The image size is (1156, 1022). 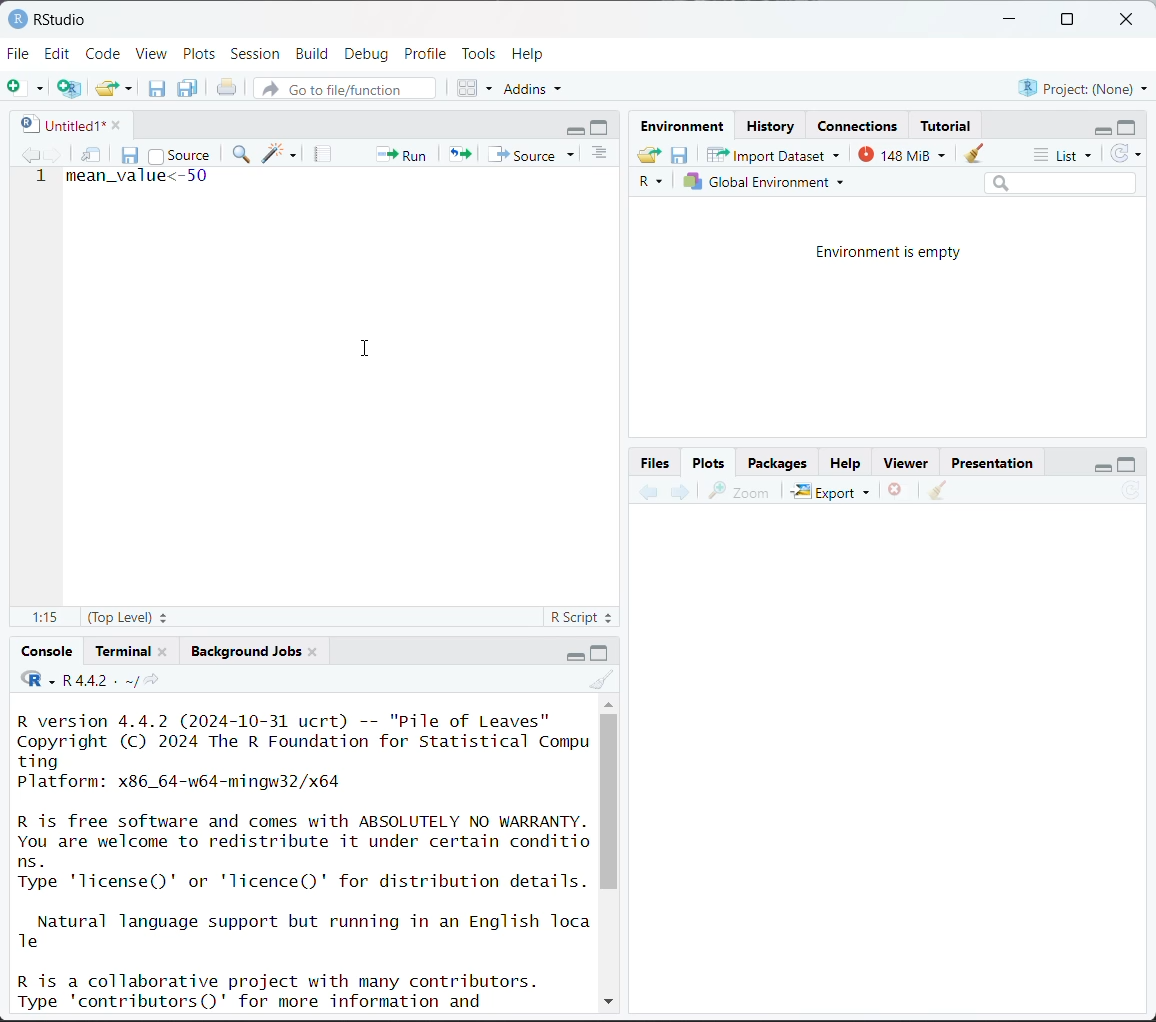 What do you see at coordinates (652, 157) in the screenshot?
I see `load workspace` at bounding box center [652, 157].